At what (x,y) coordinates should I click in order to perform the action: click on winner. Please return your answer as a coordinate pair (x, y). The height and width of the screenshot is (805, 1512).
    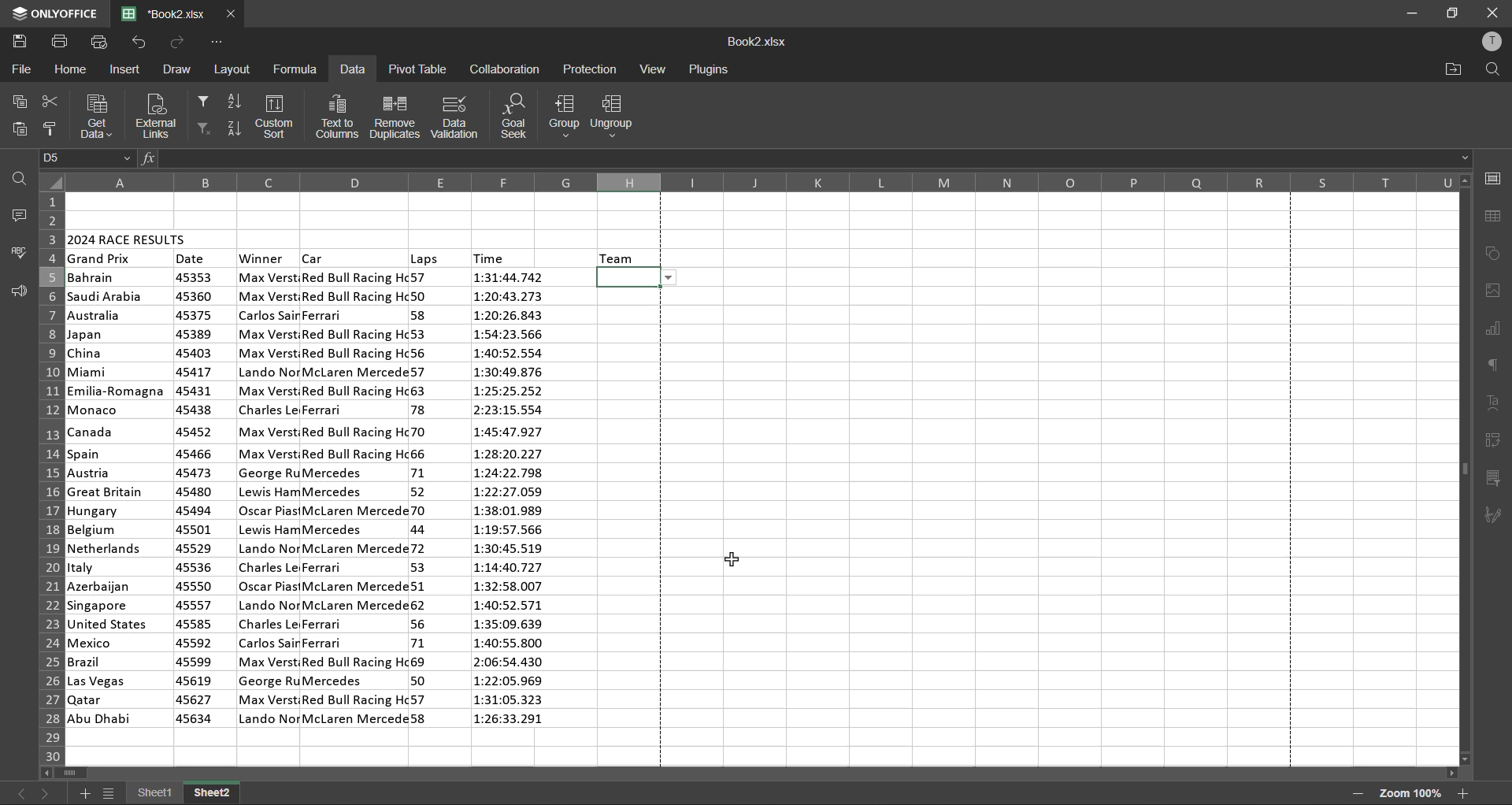
    Looking at the image, I should click on (262, 258).